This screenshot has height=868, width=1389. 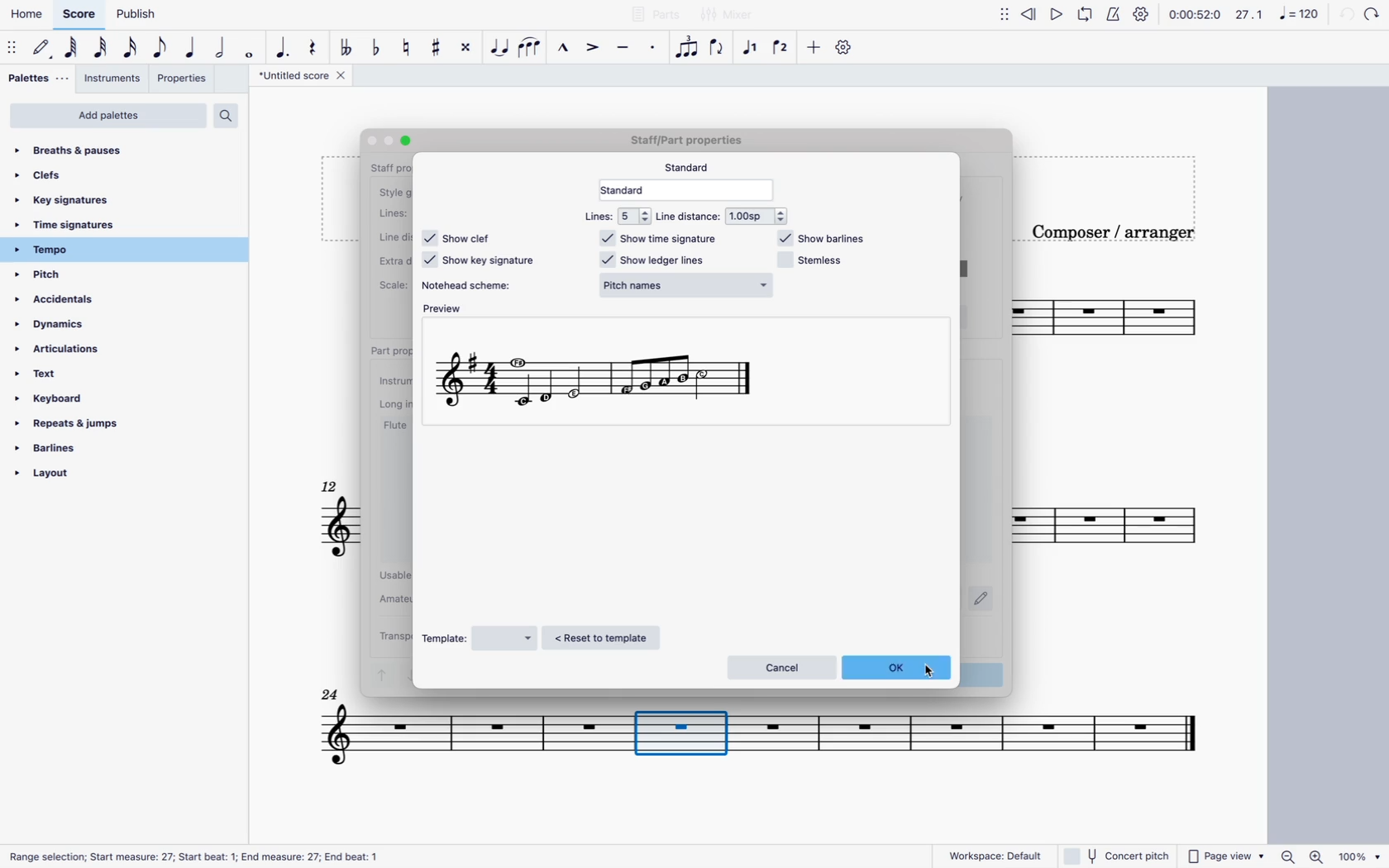 I want to click on publish, so click(x=135, y=16).